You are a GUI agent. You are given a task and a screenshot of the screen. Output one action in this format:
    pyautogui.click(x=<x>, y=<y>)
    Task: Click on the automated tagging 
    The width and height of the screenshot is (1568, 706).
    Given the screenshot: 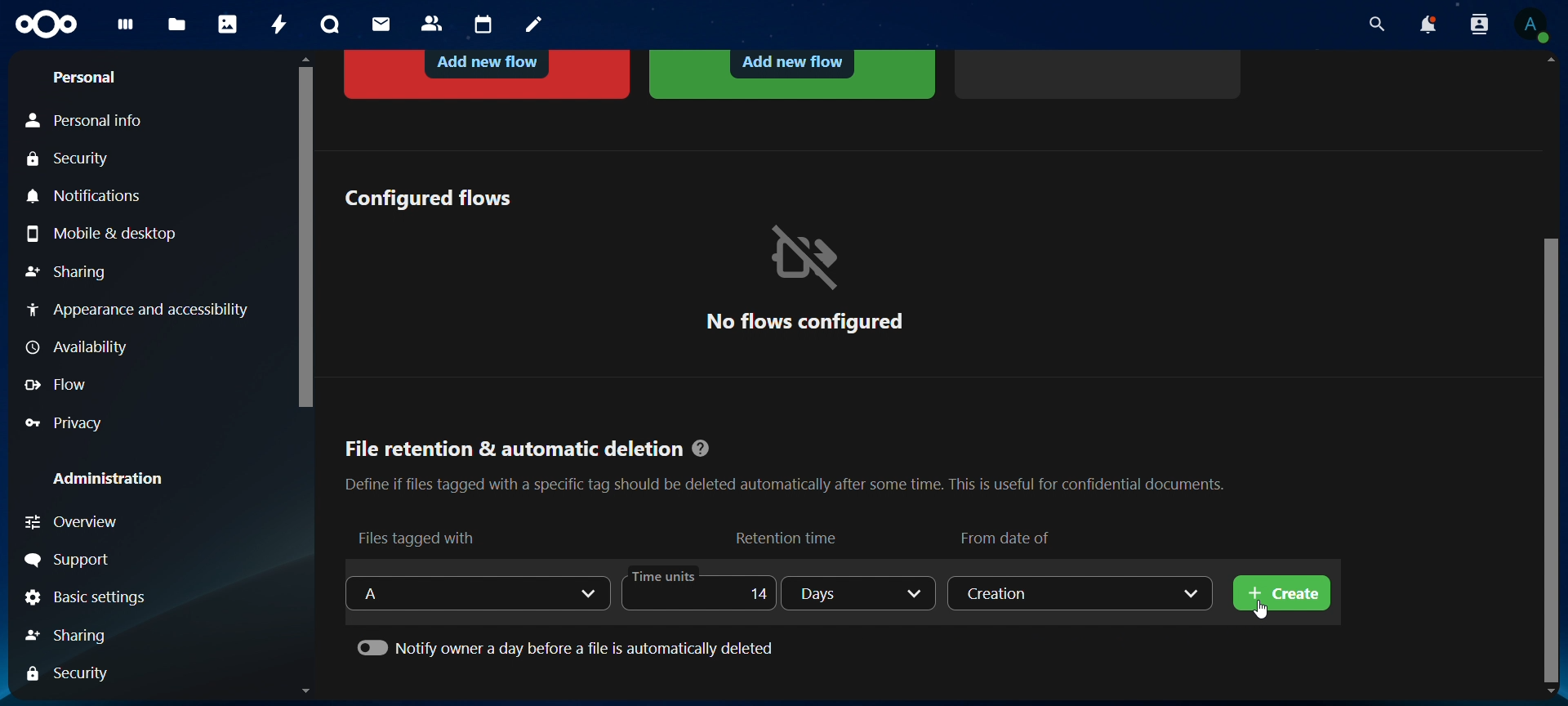 What is the action you would take?
    pyautogui.click(x=792, y=73)
    